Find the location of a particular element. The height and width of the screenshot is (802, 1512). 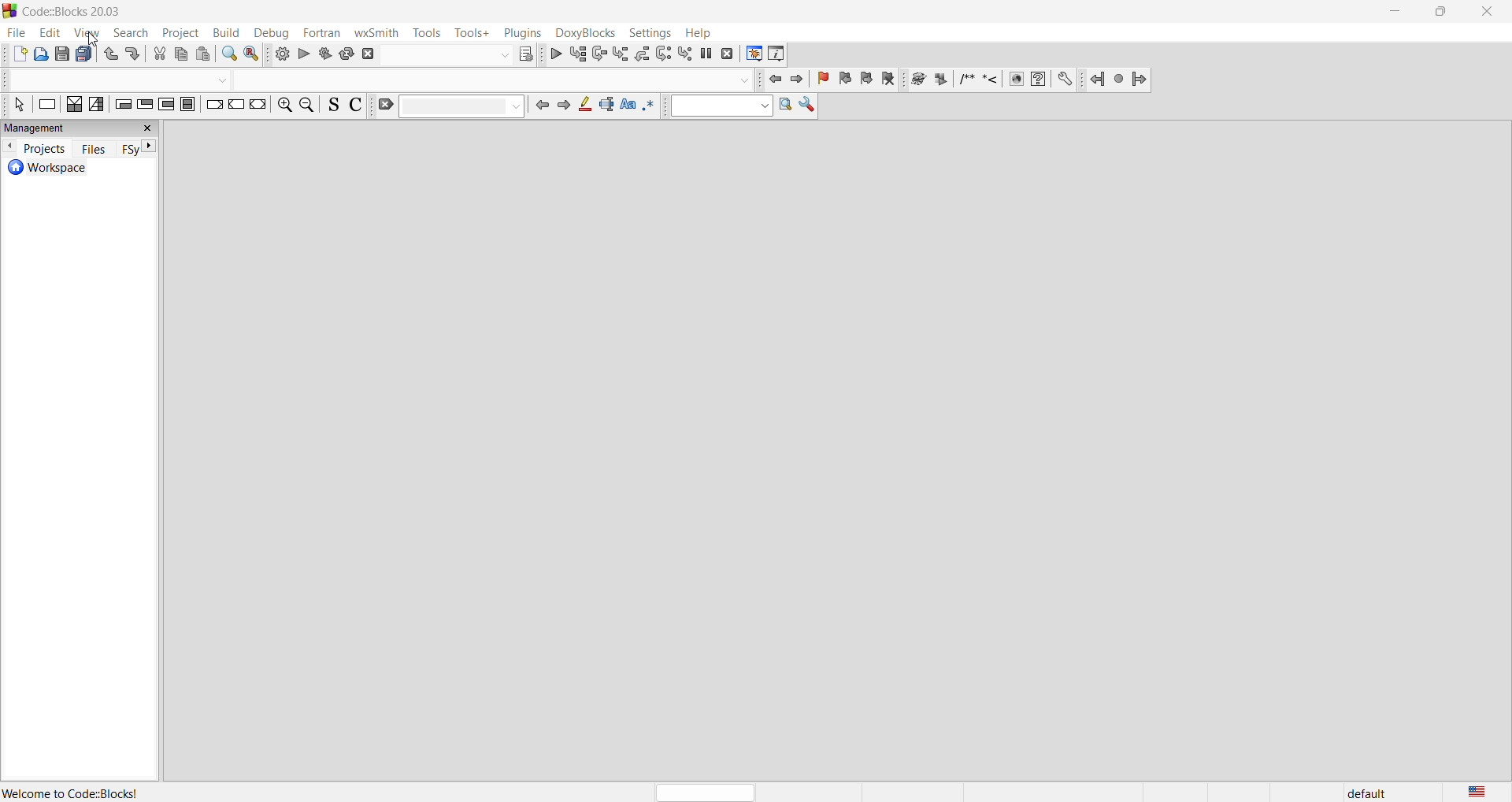

run doxywizard is located at coordinates (916, 82).